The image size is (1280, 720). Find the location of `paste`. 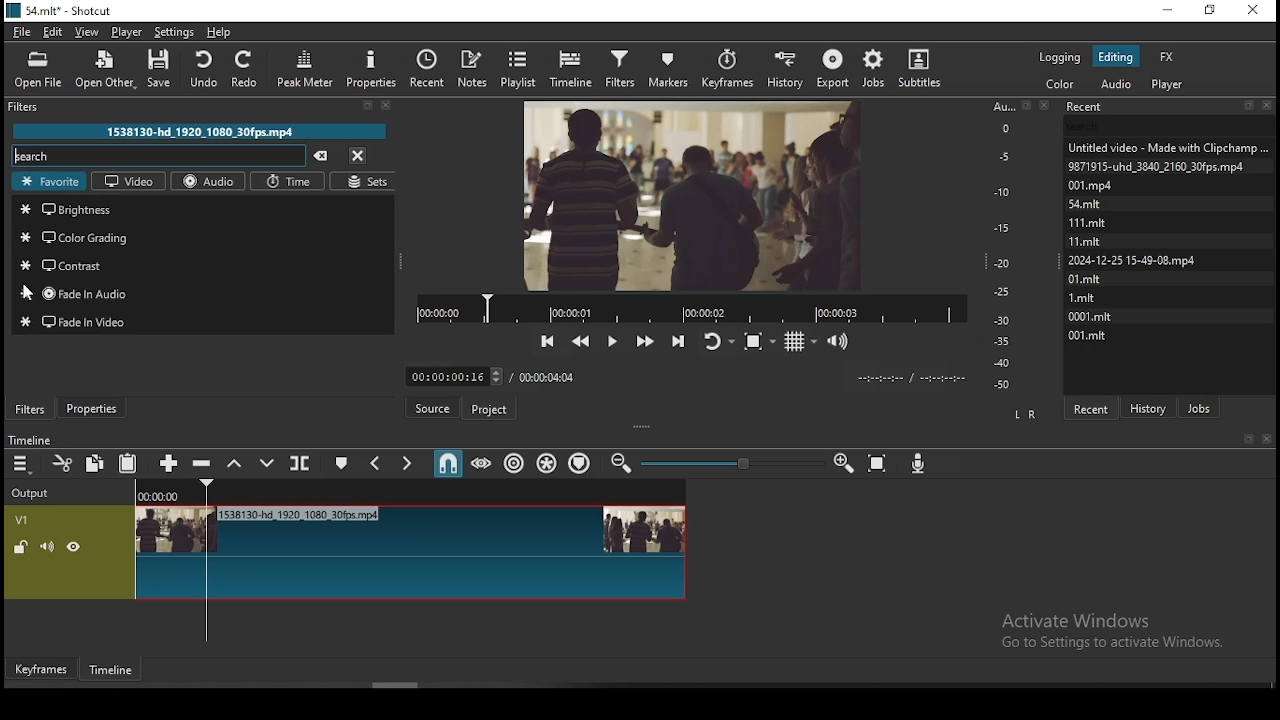

paste is located at coordinates (129, 464).